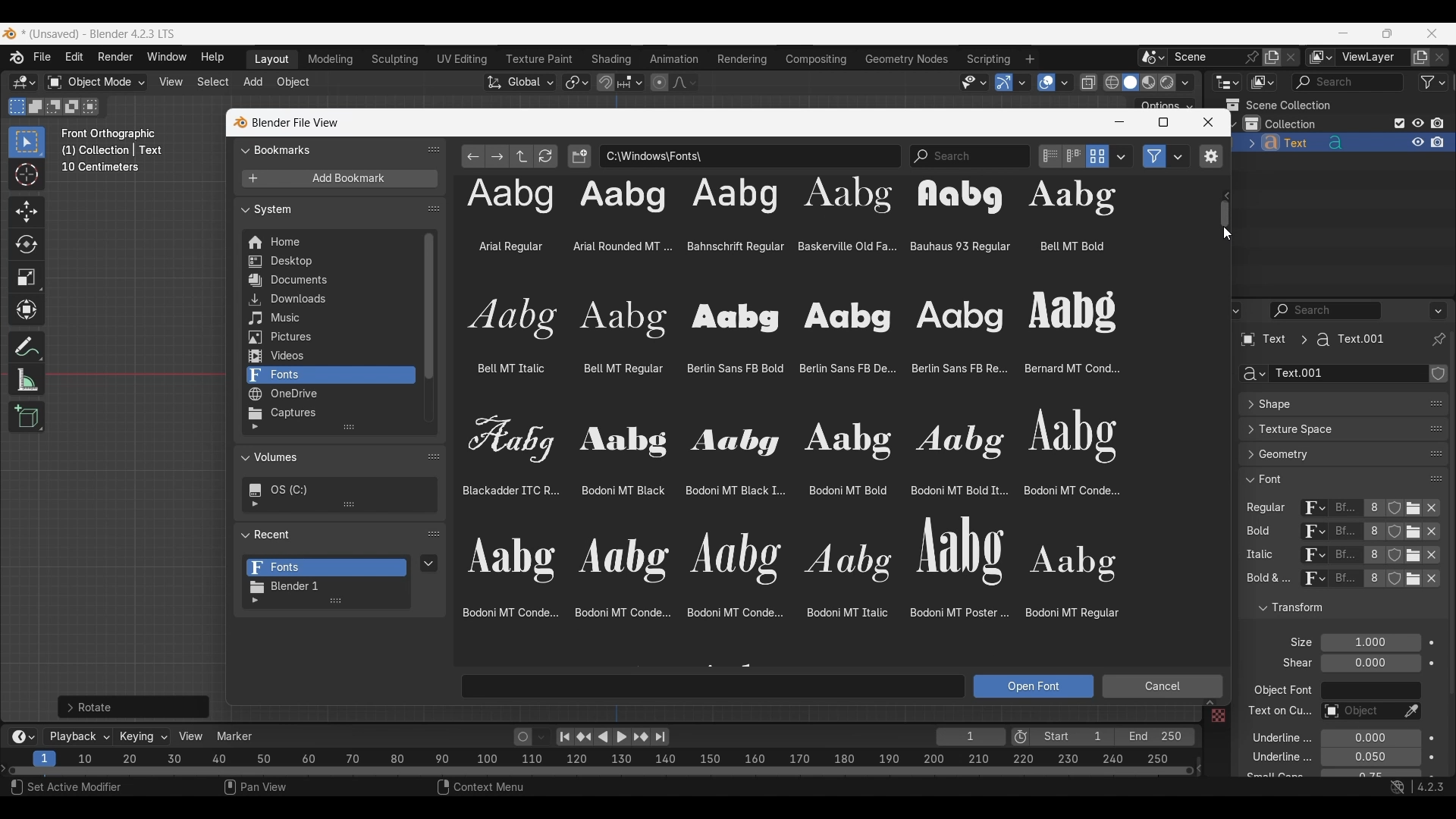 The width and height of the screenshot is (1456, 819). I want to click on Shear, so click(1370, 663).